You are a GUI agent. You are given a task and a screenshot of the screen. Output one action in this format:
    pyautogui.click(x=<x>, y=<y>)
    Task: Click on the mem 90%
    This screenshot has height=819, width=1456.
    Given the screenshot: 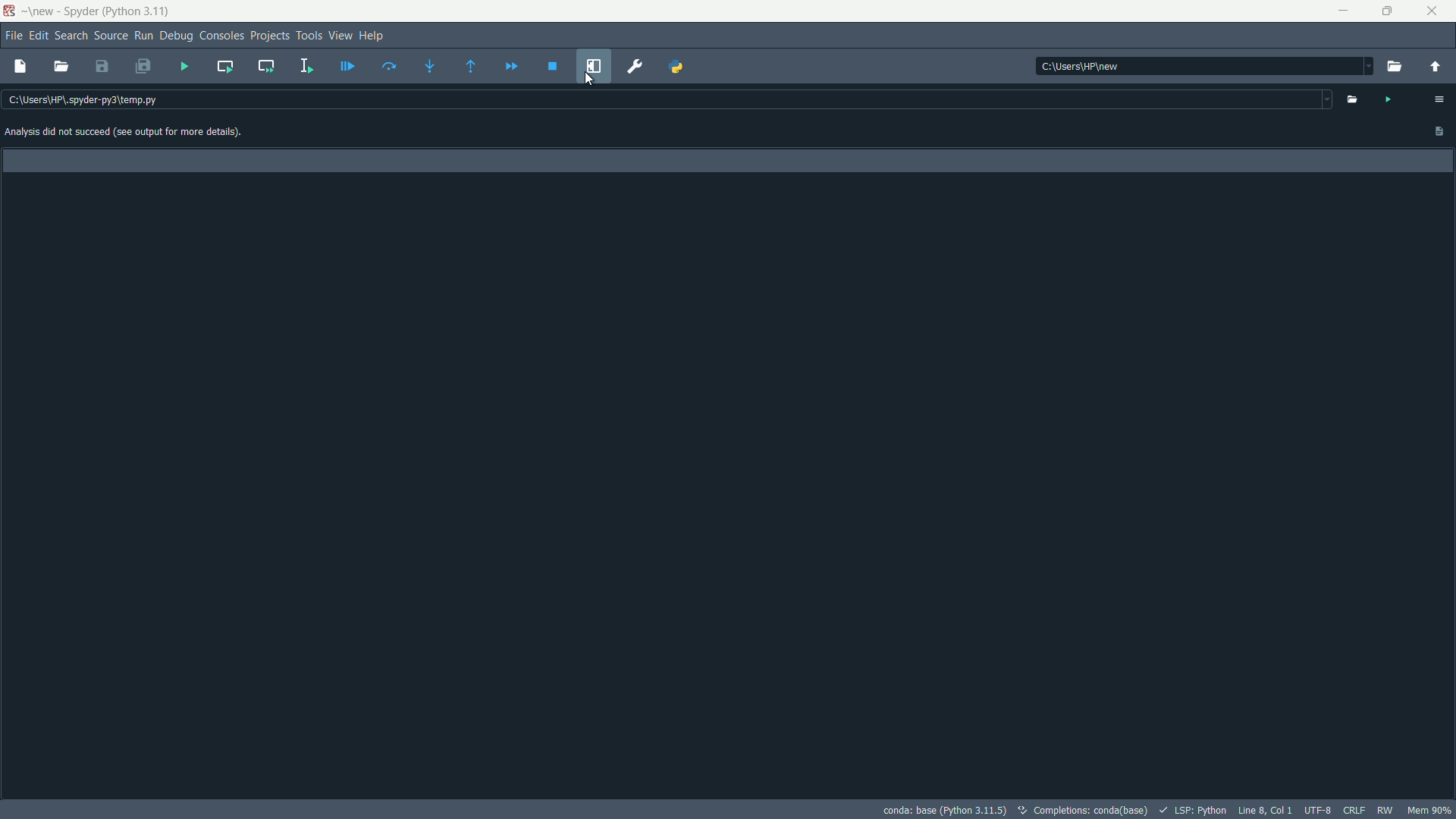 What is the action you would take?
    pyautogui.click(x=1429, y=809)
    